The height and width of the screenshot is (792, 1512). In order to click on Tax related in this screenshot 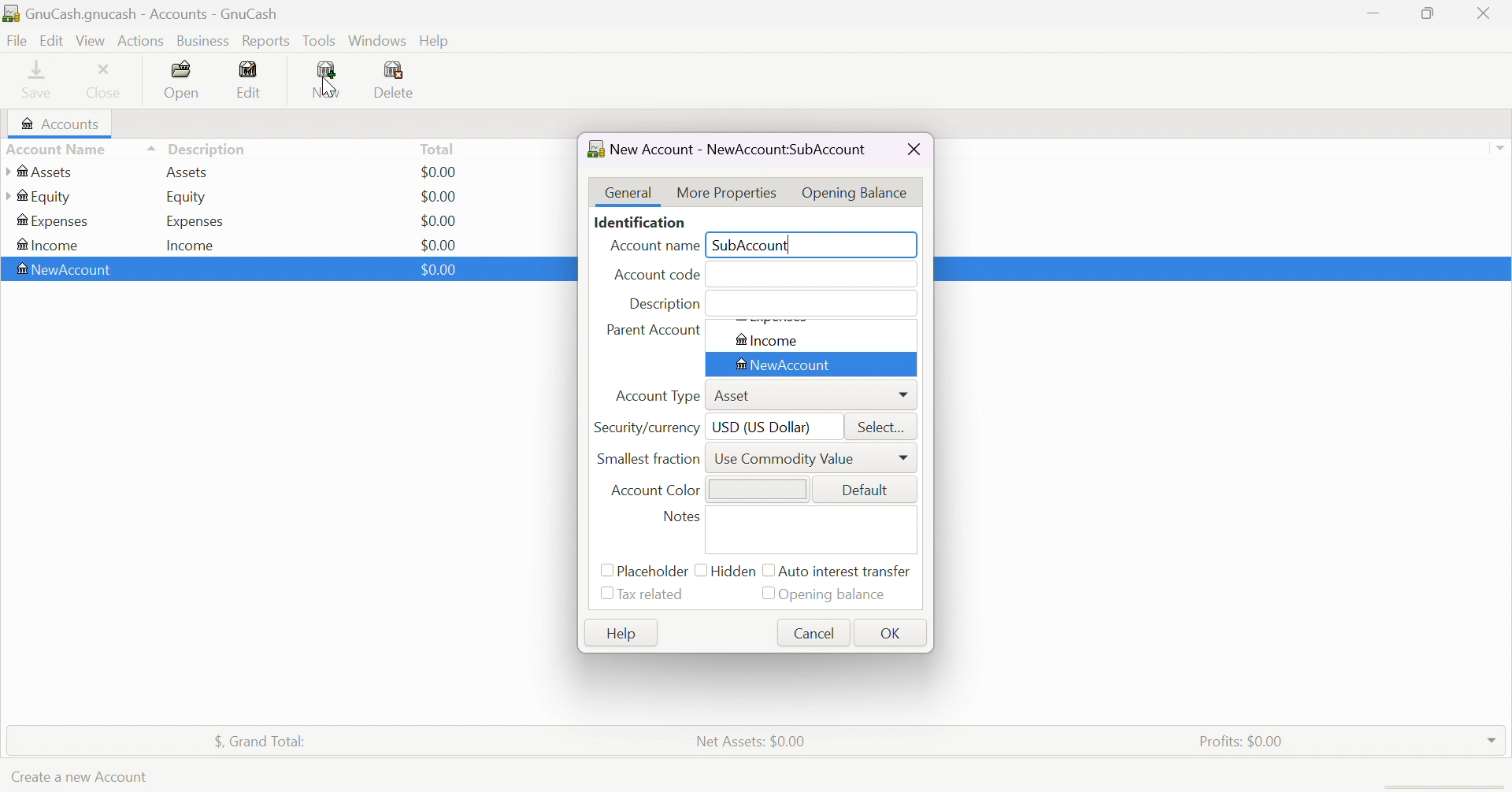, I will do `click(651, 596)`.